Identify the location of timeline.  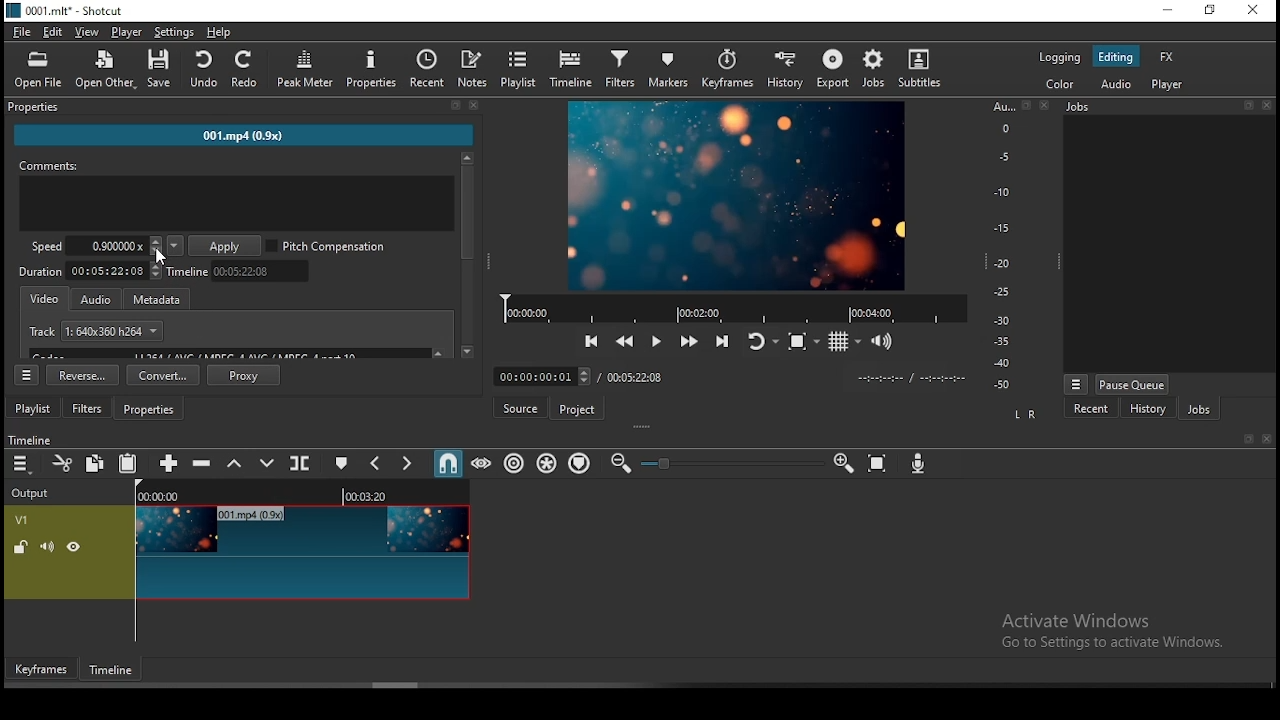
(299, 493).